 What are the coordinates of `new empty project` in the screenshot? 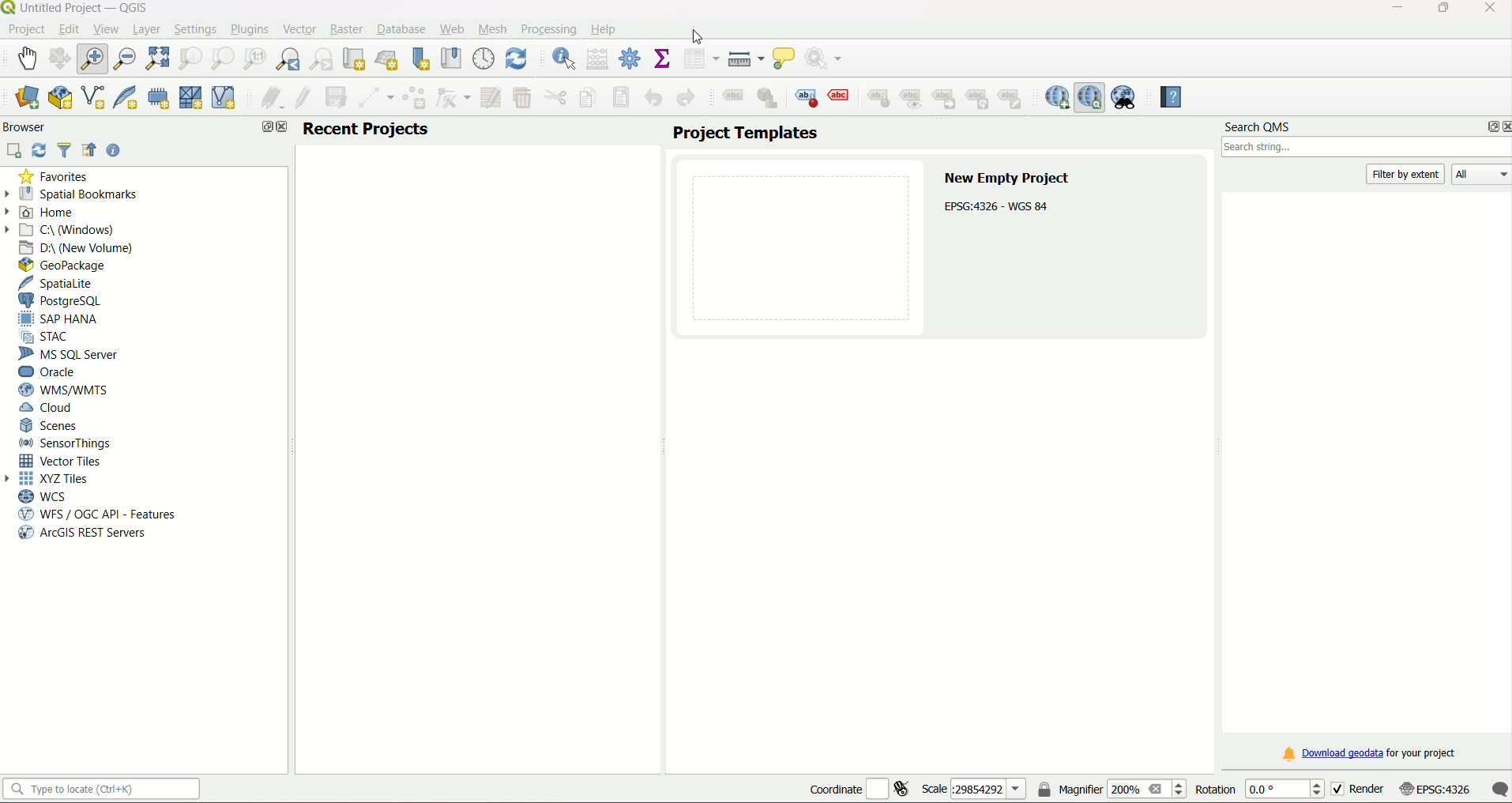 It's located at (1009, 179).